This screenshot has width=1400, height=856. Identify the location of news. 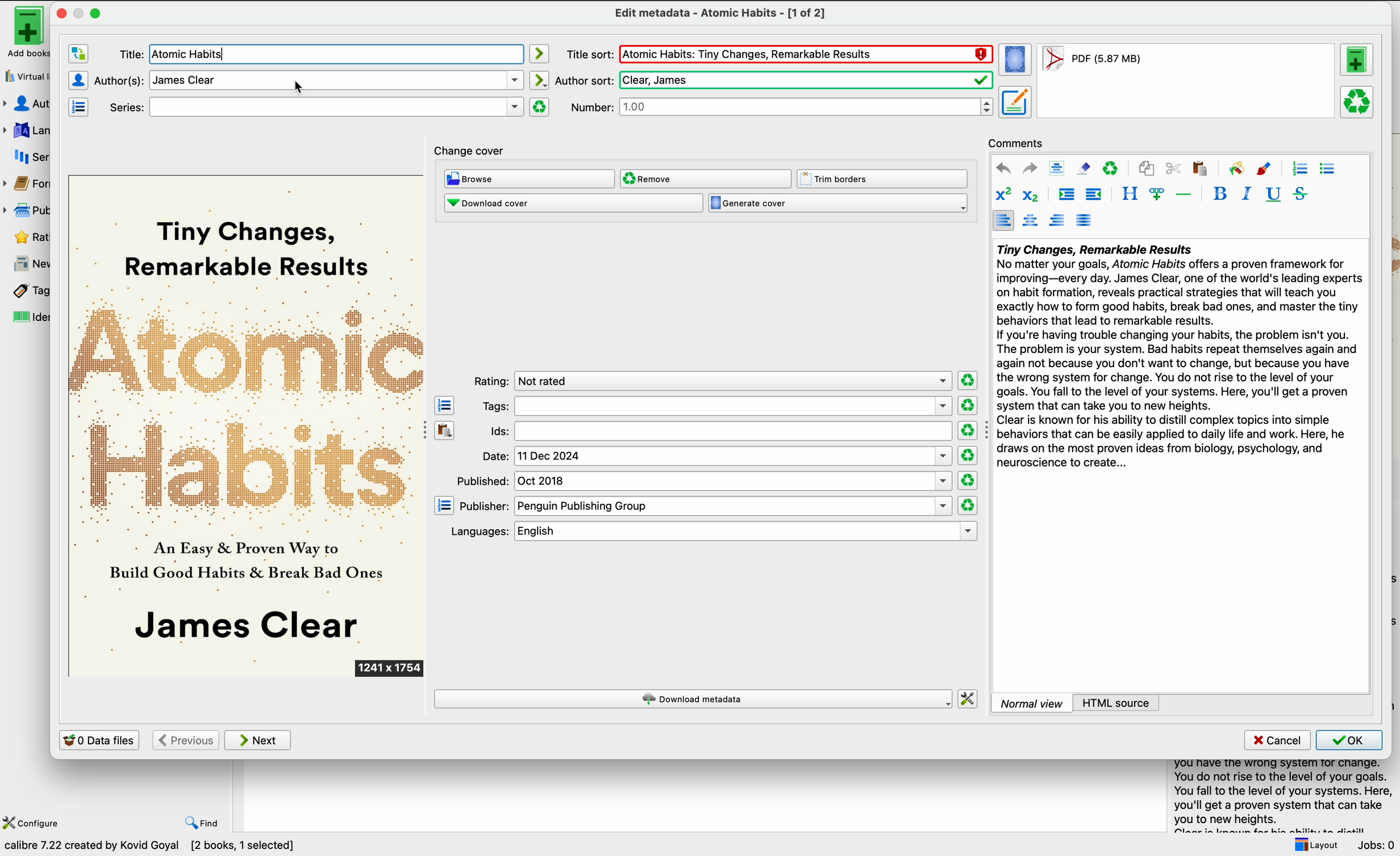
(26, 264).